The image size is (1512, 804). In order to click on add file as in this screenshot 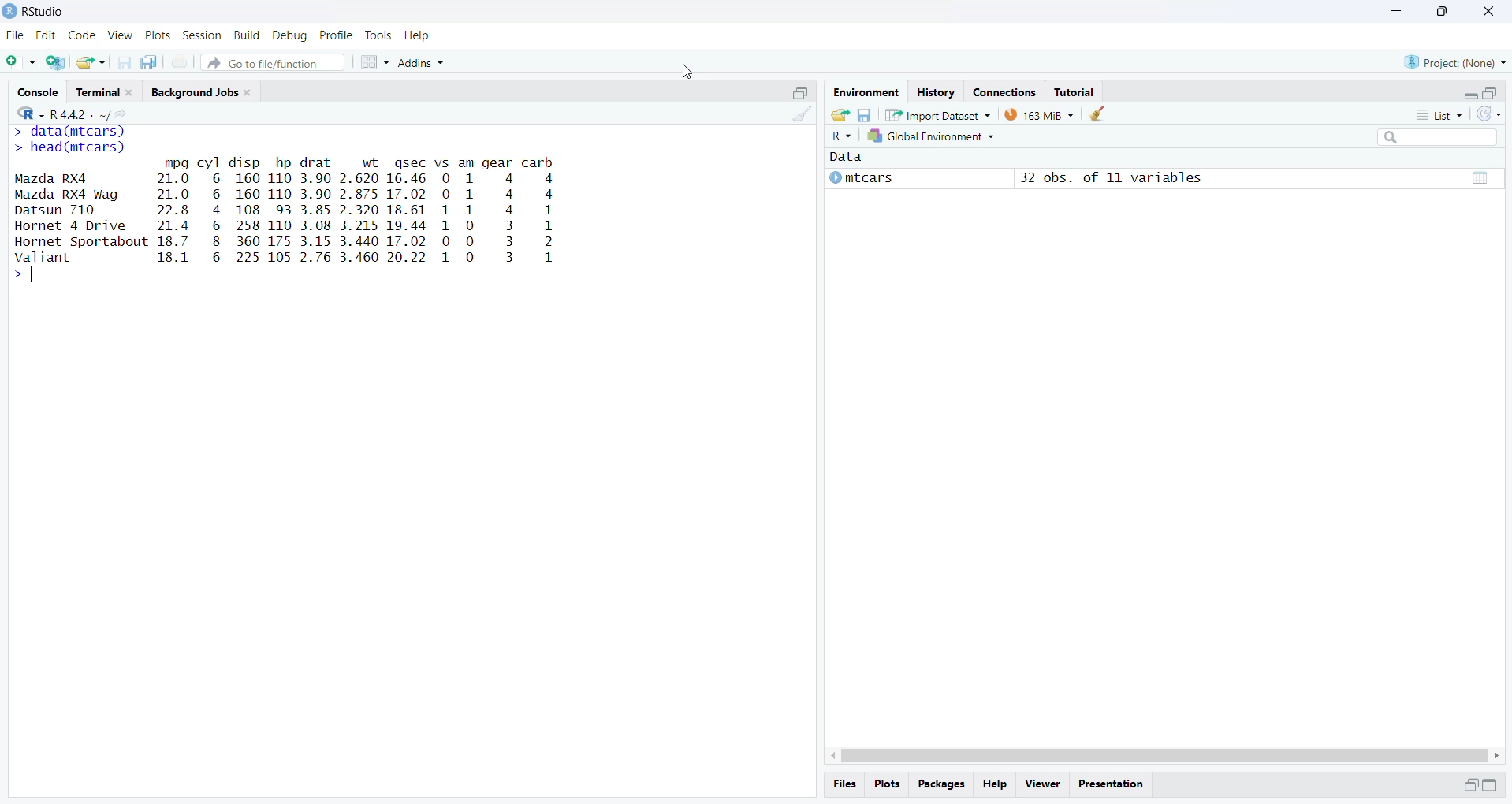, I will do `click(21, 61)`.